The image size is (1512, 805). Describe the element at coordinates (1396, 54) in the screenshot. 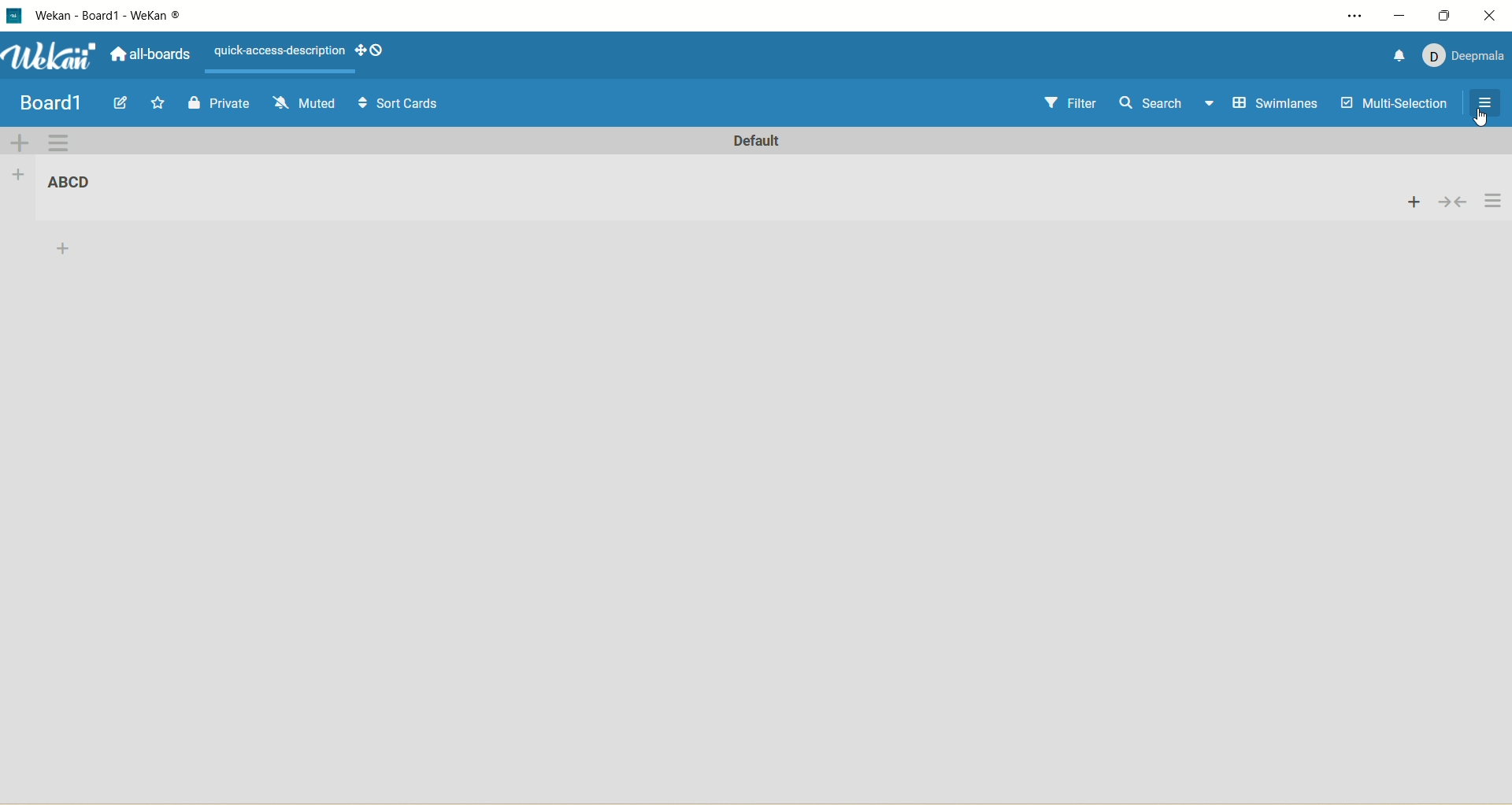

I see `notification` at that location.